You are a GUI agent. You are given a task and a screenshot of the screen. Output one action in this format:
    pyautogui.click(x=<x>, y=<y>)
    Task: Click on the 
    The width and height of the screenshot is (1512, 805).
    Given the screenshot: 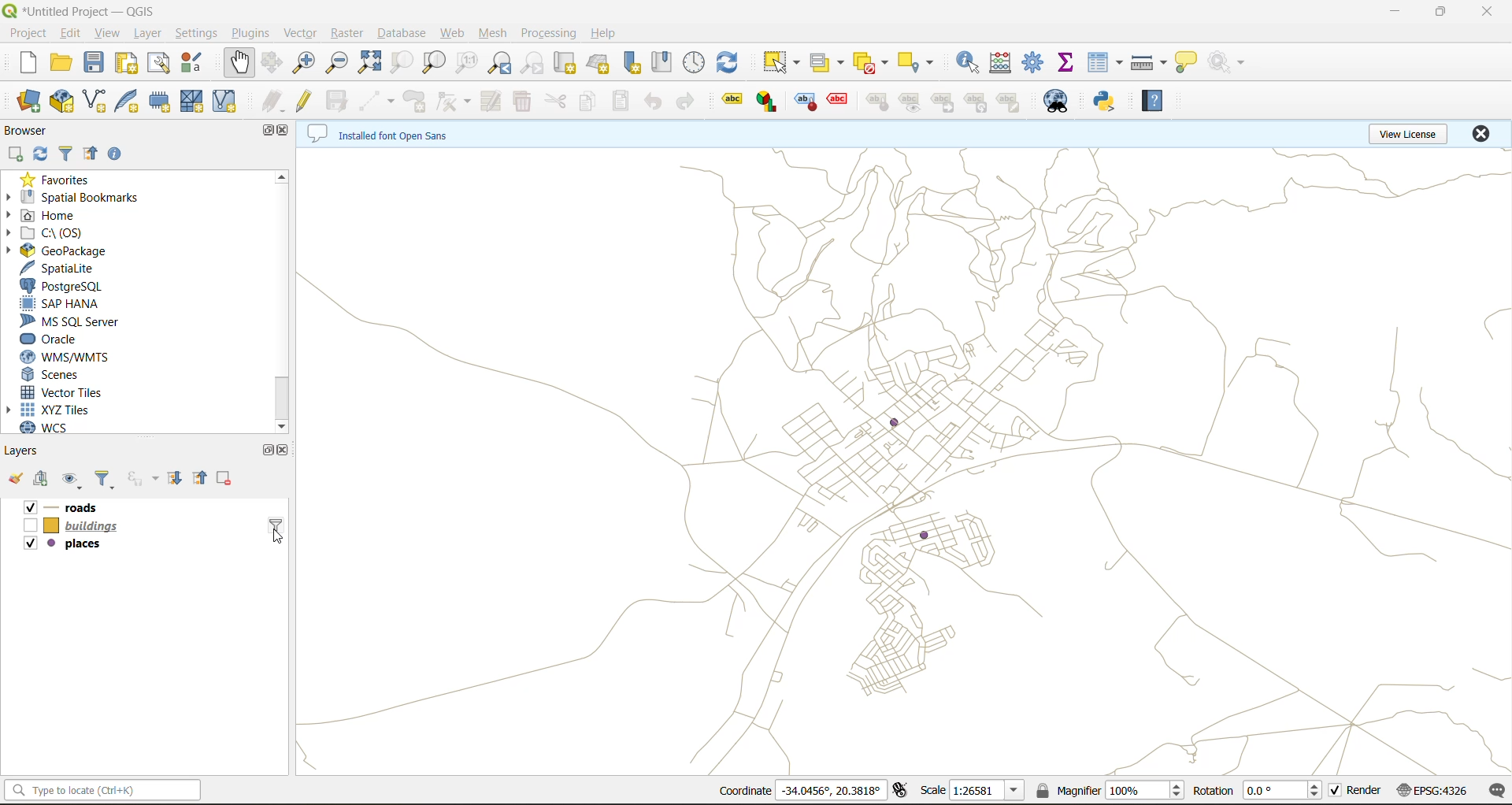 What is the action you would take?
    pyautogui.click(x=1066, y=63)
    